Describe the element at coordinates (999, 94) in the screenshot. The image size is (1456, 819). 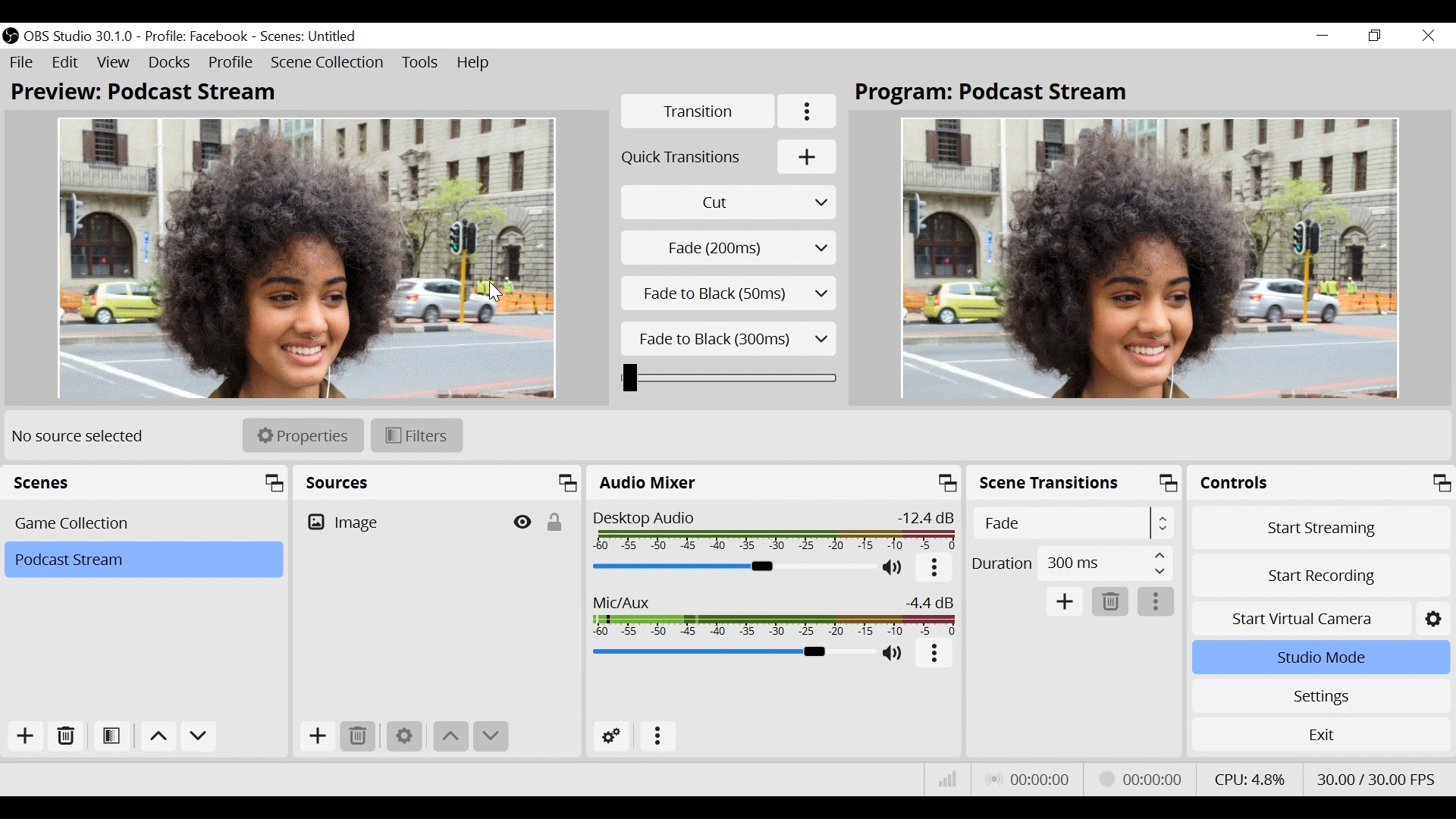
I see `Program: Scene` at that location.